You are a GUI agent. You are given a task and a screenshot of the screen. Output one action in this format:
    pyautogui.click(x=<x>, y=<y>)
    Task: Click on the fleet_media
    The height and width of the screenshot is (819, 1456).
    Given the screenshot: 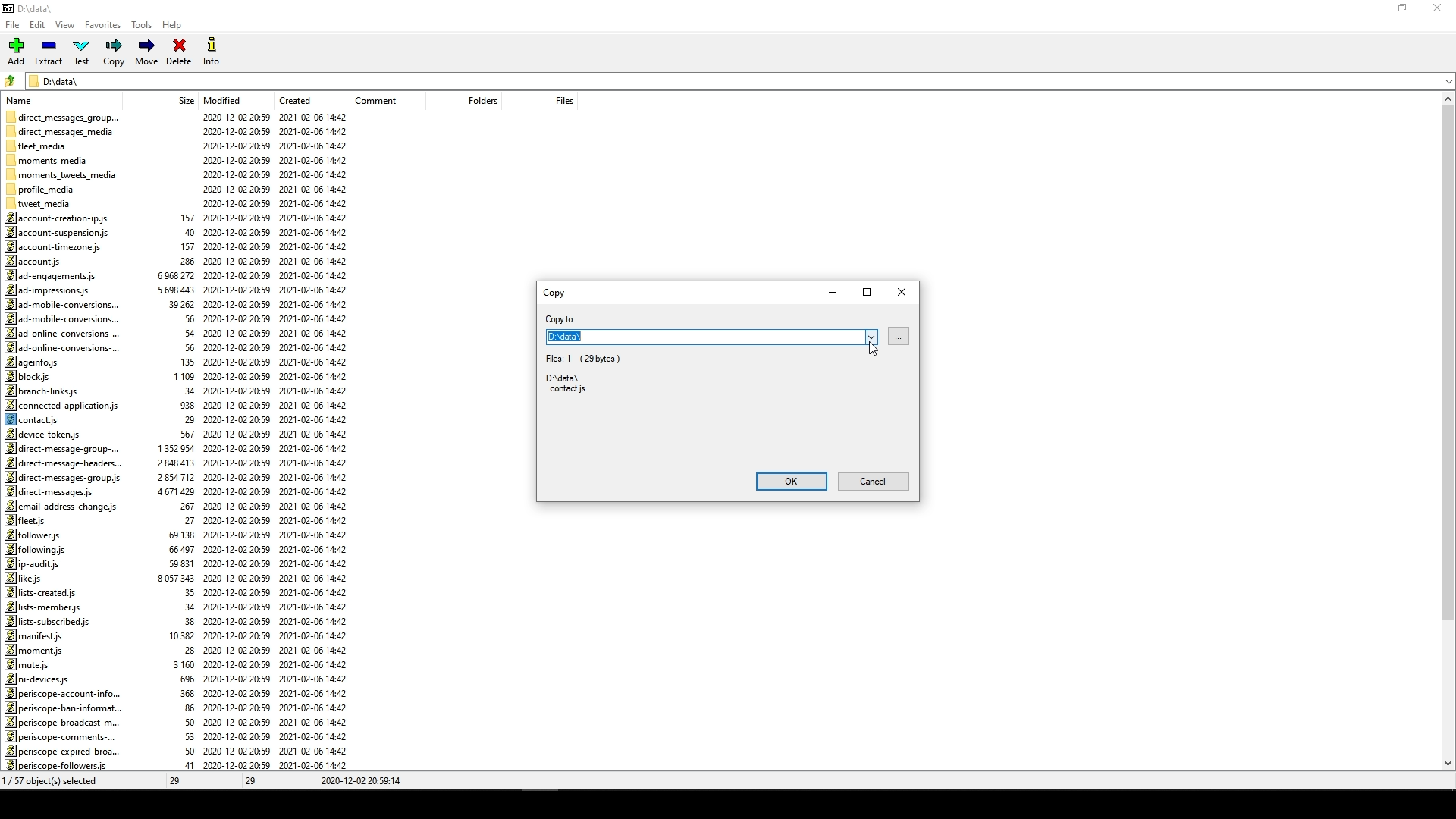 What is the action you would take?
    pyautogui.click(x=39, y=145)
    